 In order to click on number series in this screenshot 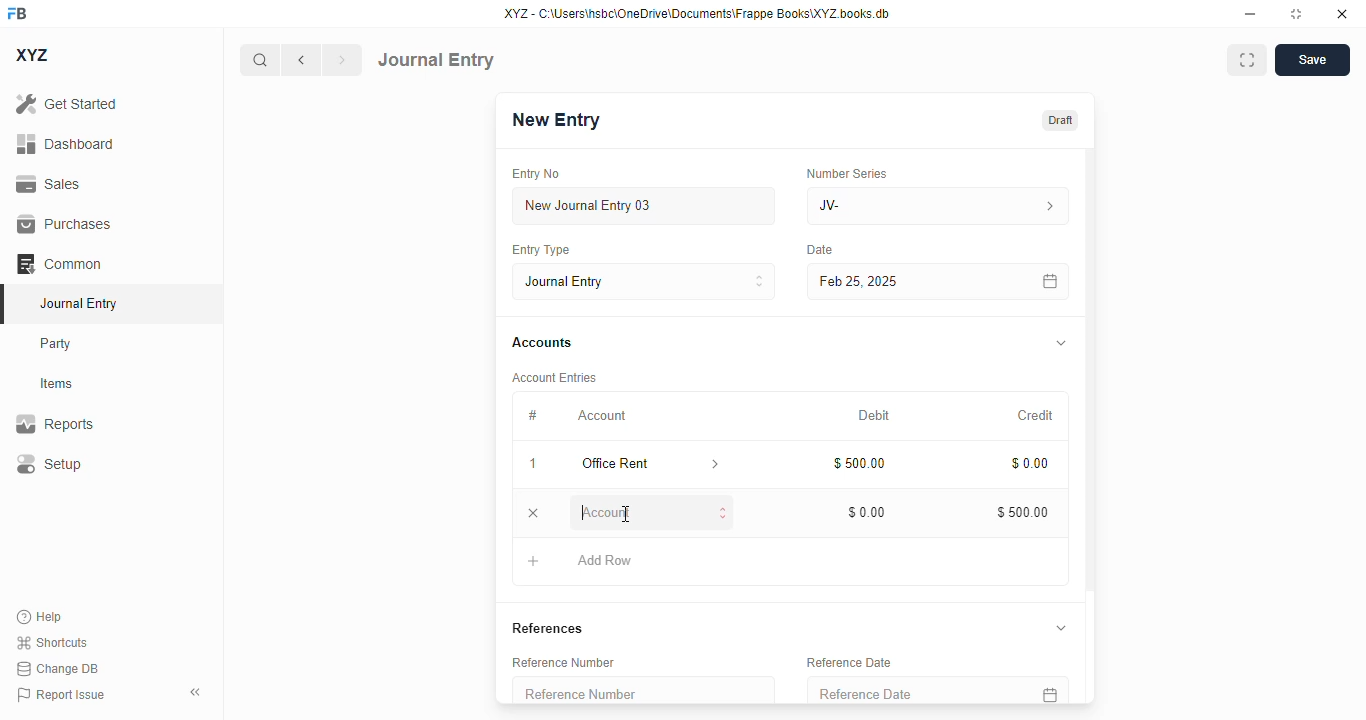, I will do `click(846, 173)`.